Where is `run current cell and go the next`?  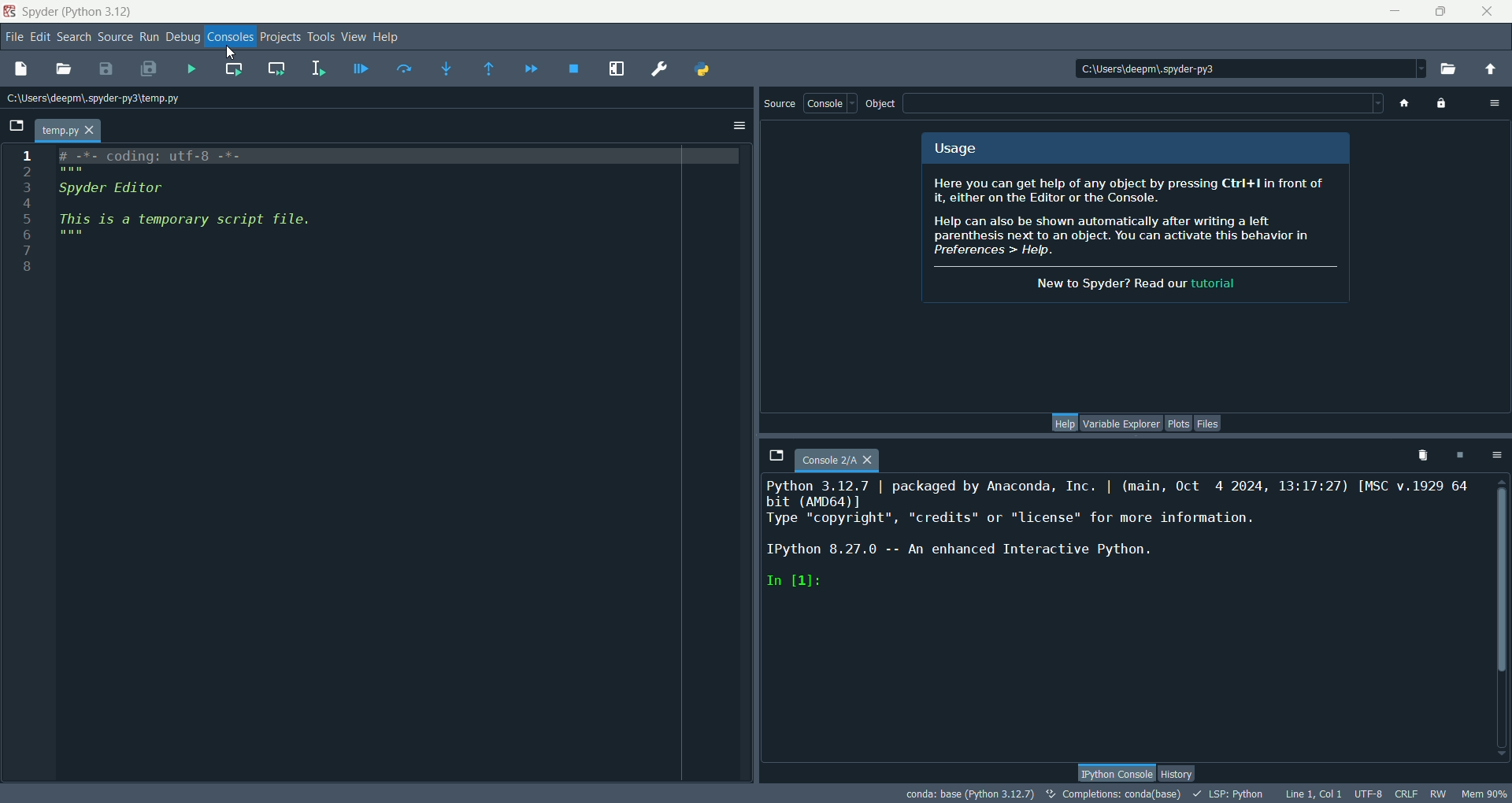
run current cell and go the next is located at coordinates (278, 68).